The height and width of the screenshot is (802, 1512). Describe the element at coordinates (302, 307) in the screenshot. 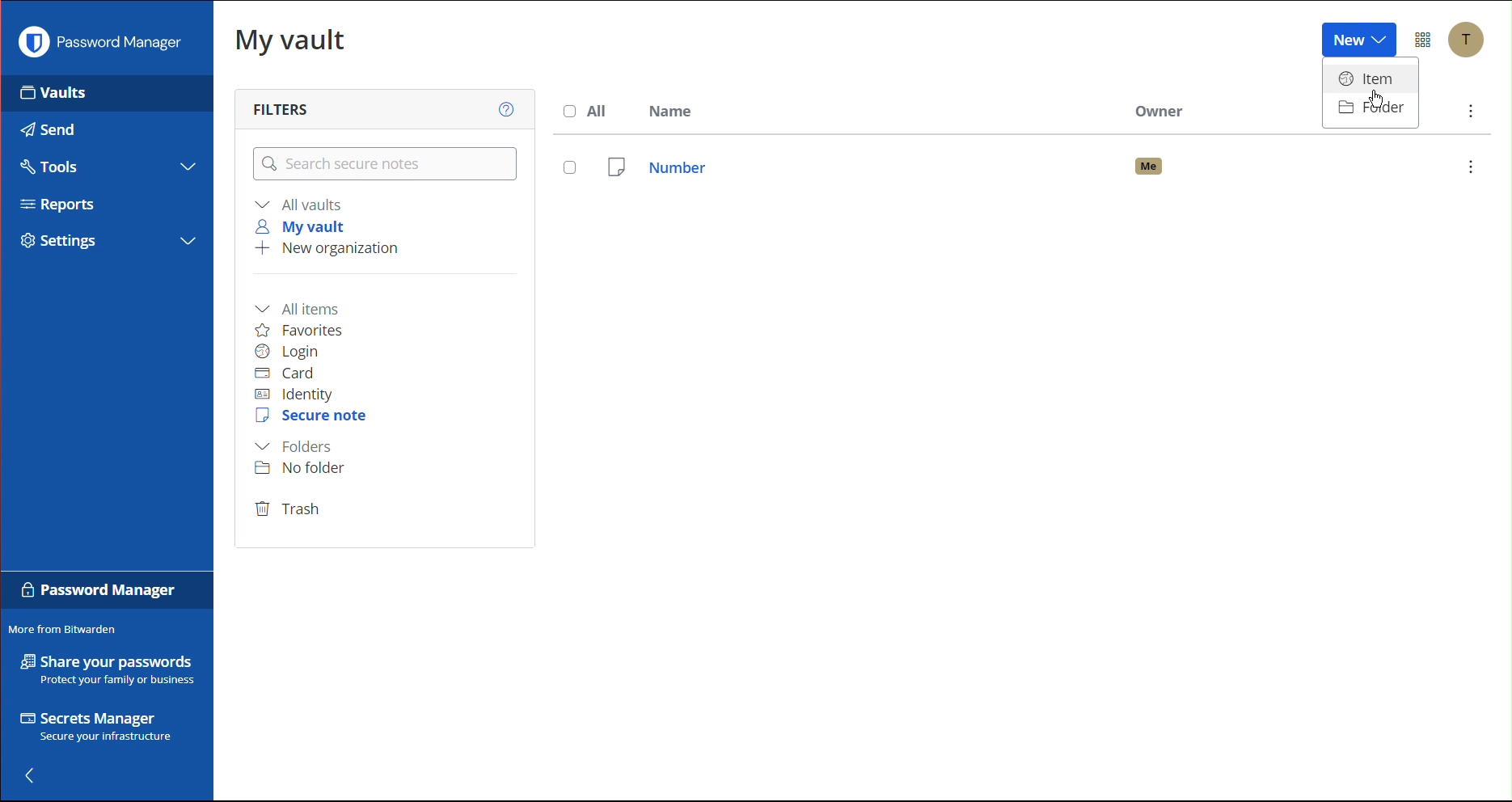

I see `All items` at that location.